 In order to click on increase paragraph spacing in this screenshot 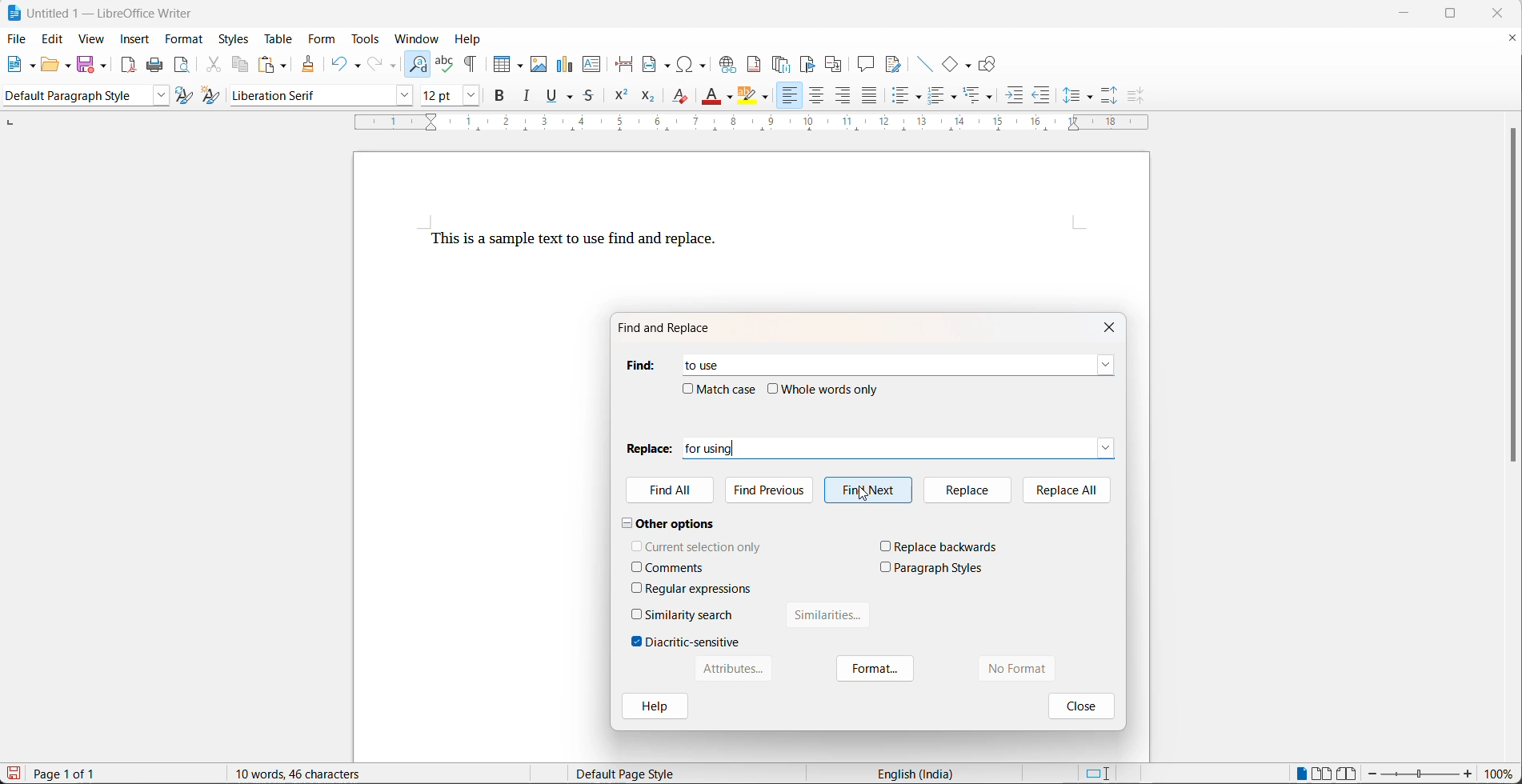, I will do `click(1110, 94)`.